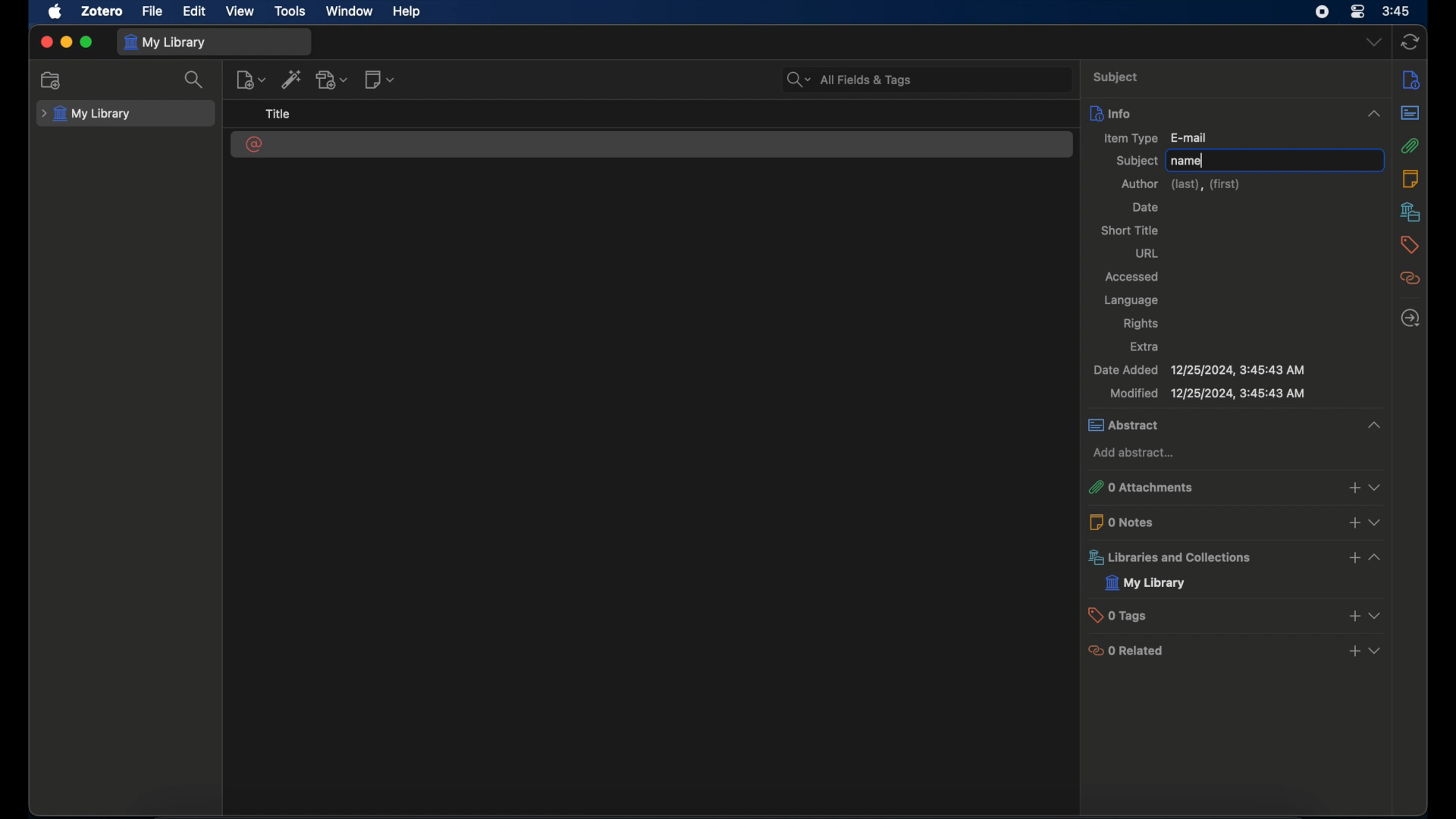 This screenshot has width=1456, height=819. I want to click on screen recorder, so click(1321, 12).